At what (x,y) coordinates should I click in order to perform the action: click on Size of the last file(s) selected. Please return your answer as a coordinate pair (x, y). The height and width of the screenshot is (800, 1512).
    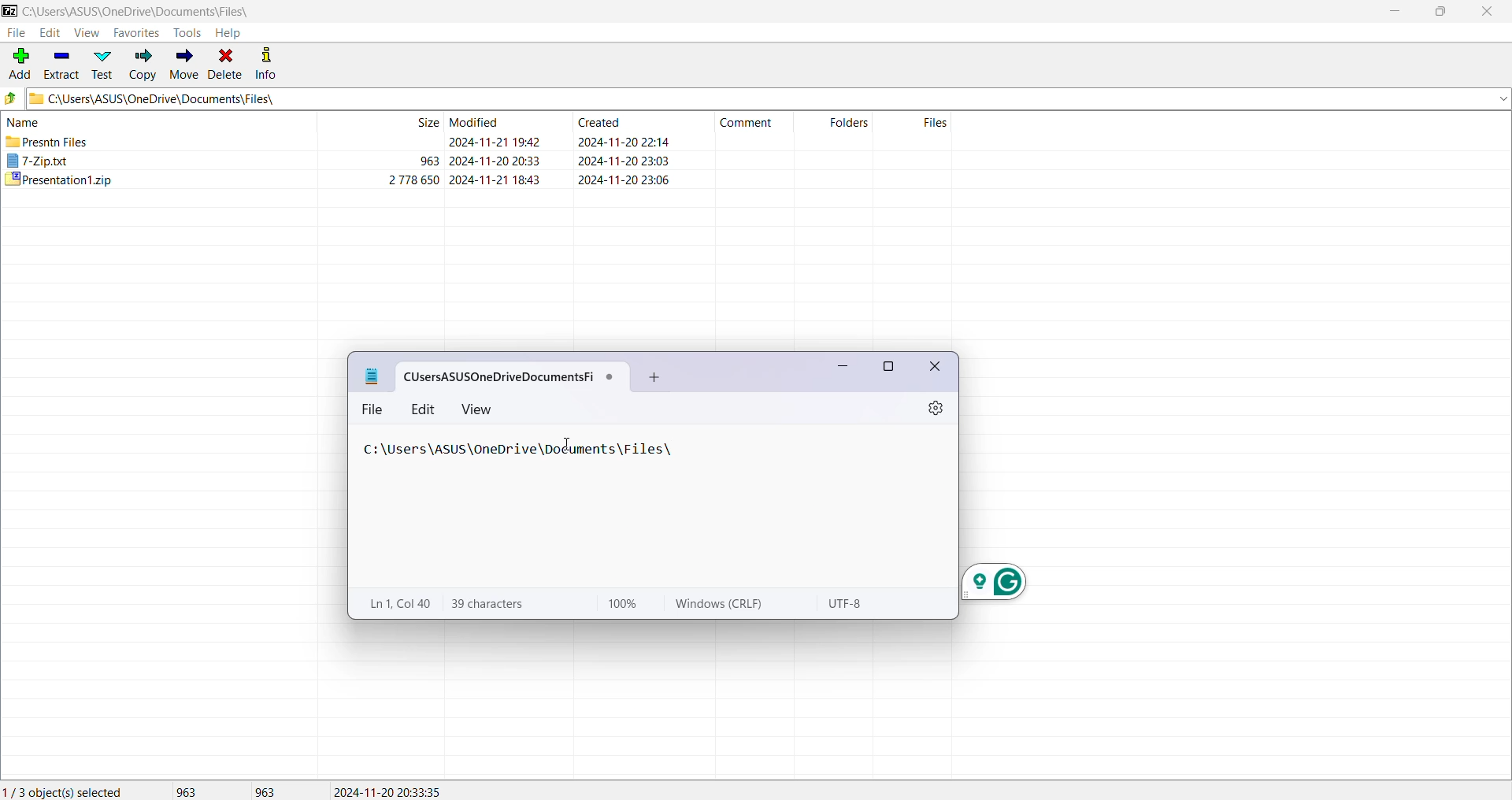
    Looking at the image, I should click on (266, 791).